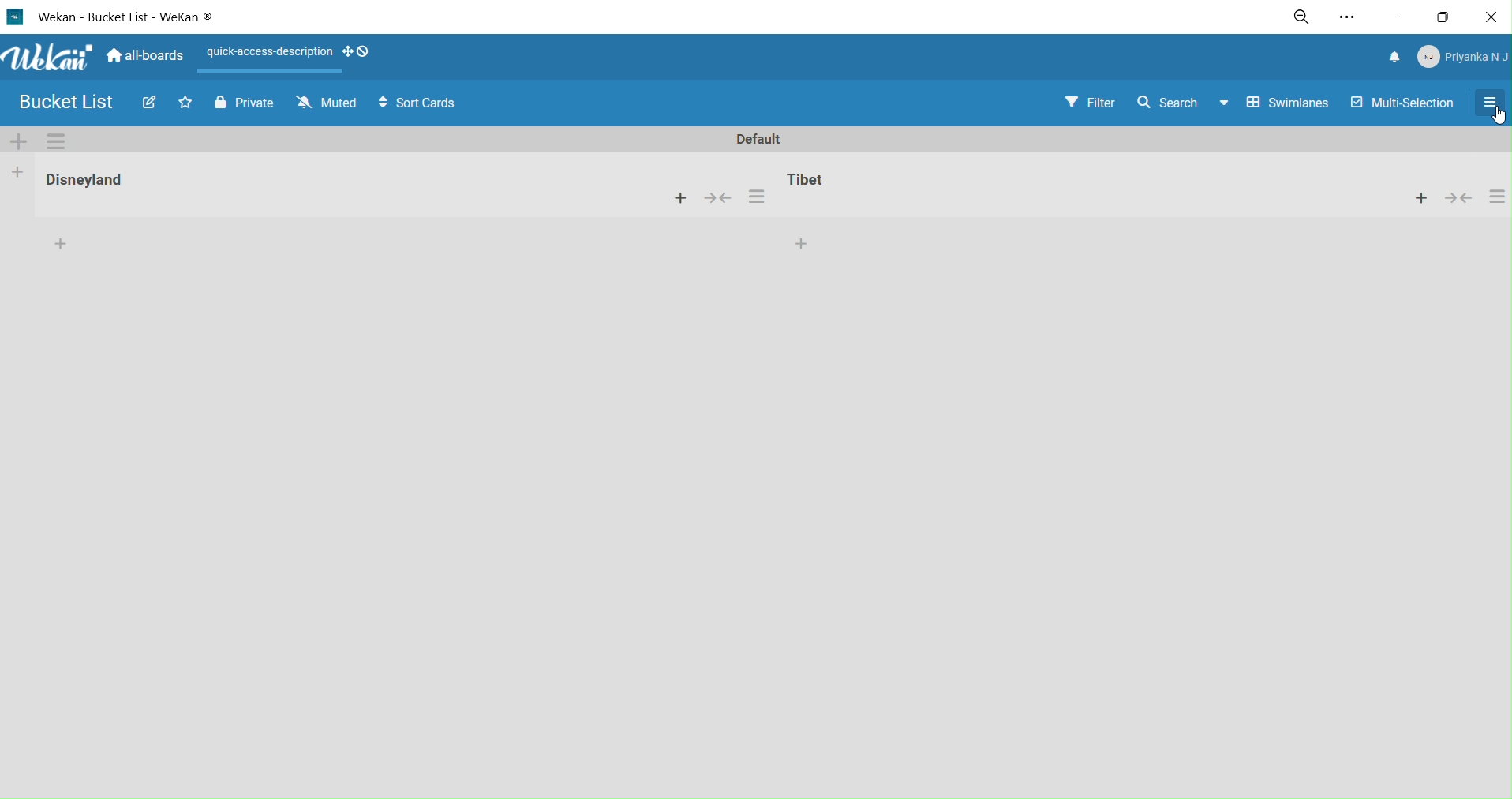  I want to click on add kist, so click(17, 172).